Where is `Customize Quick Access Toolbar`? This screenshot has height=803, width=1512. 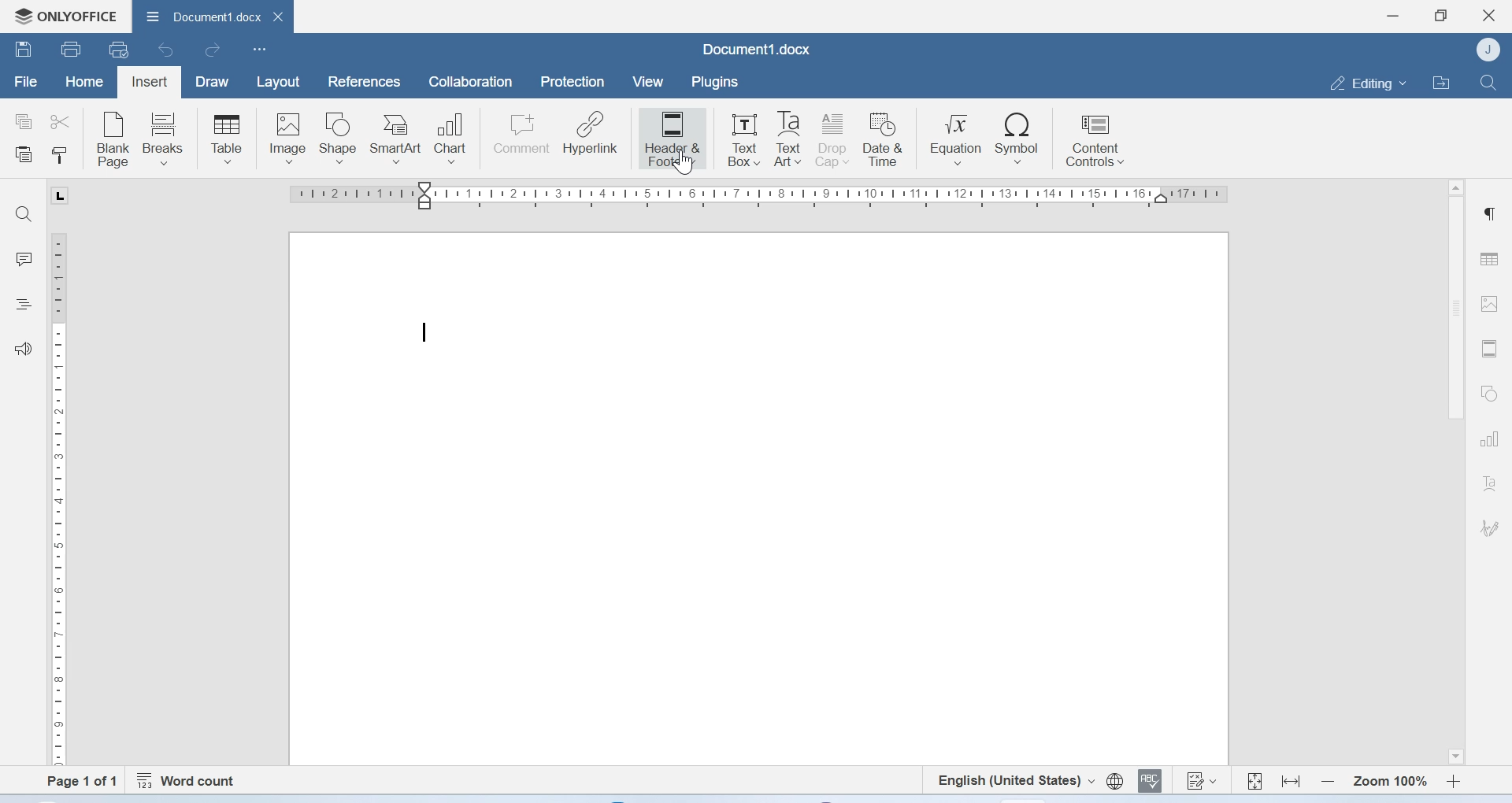 Customize Quick Access Toolbar is located at coordinates (260, 50).